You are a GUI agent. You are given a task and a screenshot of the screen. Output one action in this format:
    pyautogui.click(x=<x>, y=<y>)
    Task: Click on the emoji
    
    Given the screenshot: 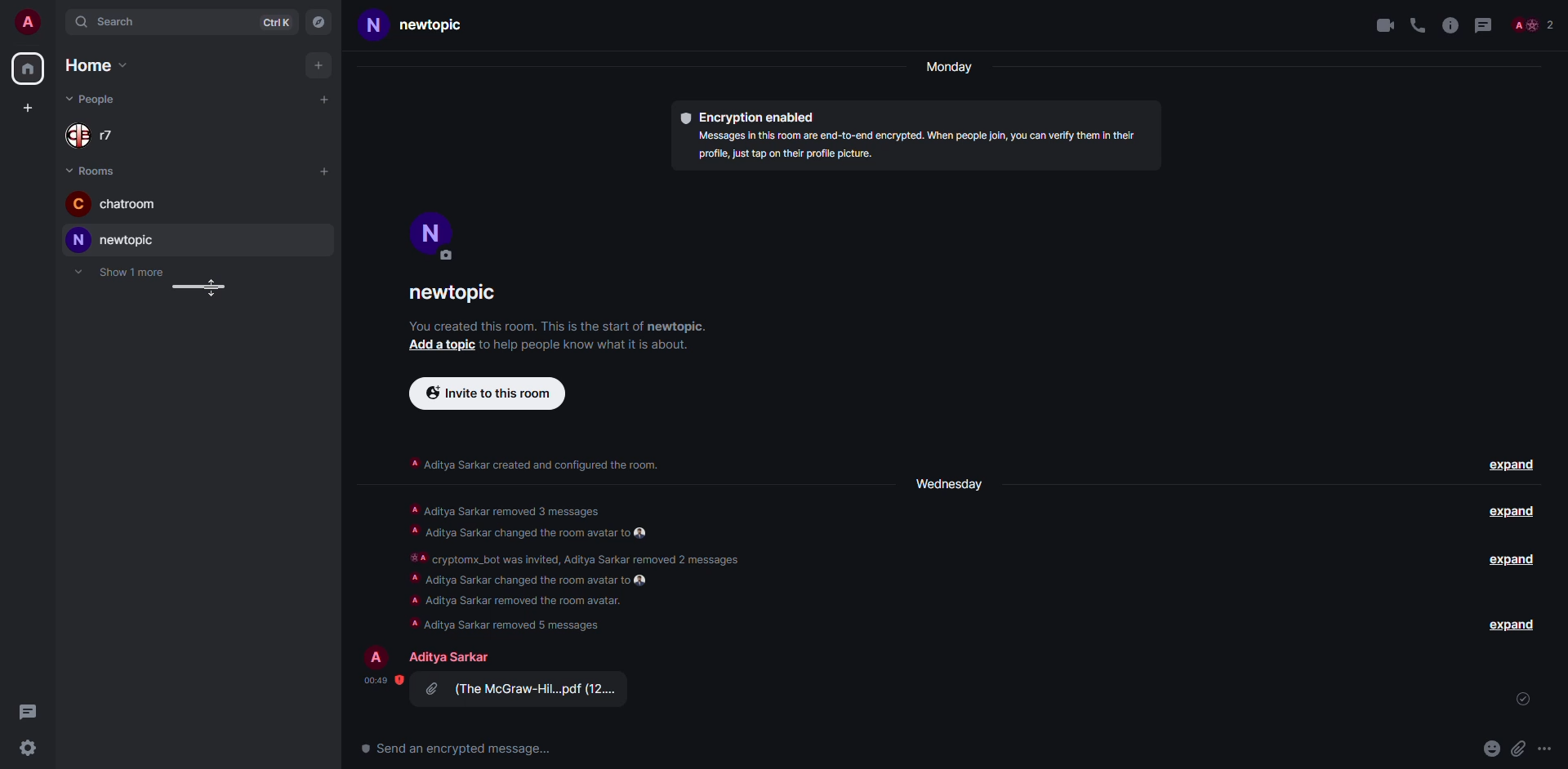 What is the action you would take?
    pyautogui.click(x=1493, y=748)
    